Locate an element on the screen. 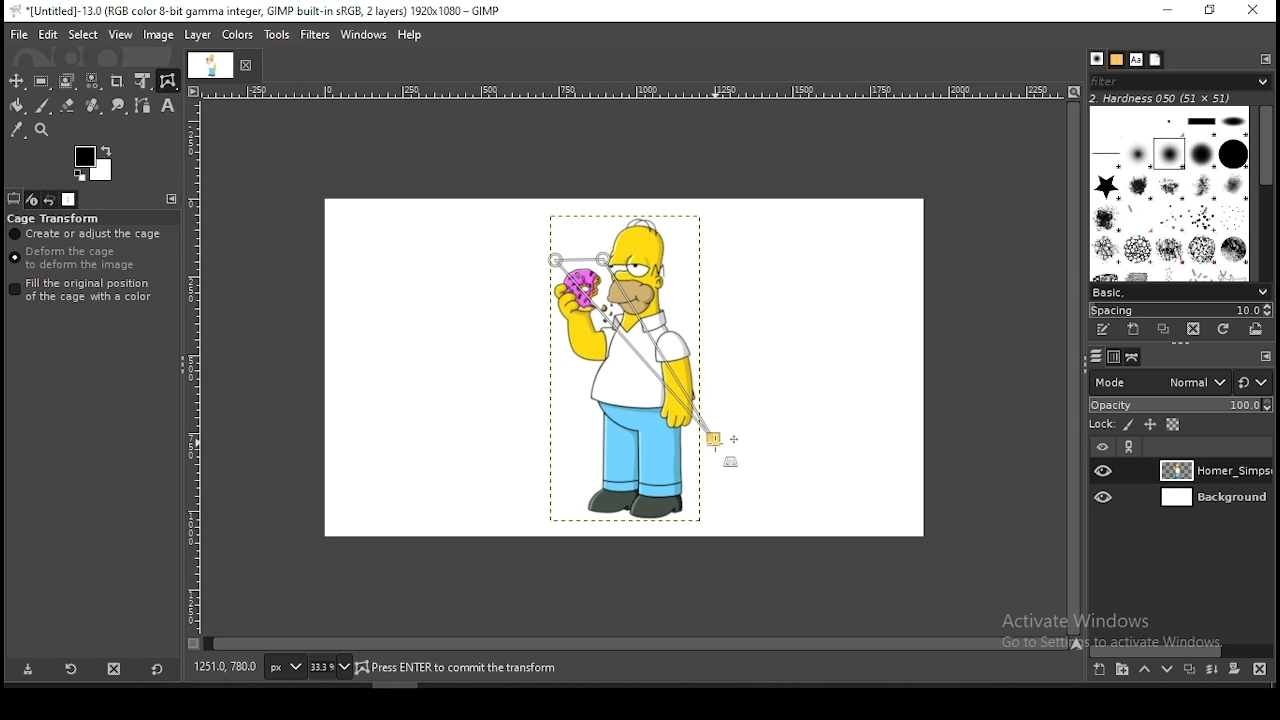 The height and width of the screenshot is (720, 1280). paths tool is located at coordinates (142, 105).